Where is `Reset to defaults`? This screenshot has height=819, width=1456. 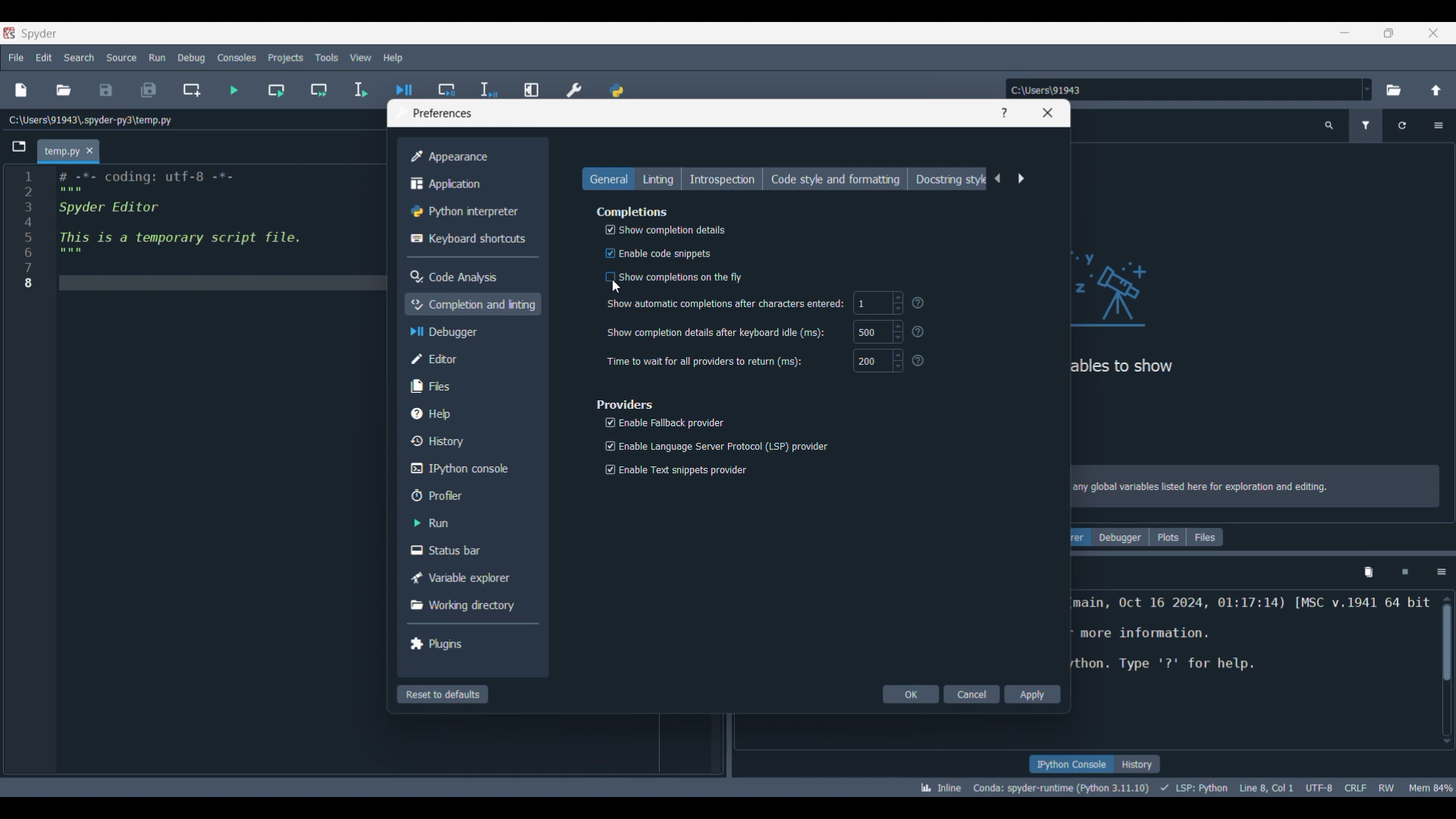 Reset to defaults is located at coordinates (443, 694).